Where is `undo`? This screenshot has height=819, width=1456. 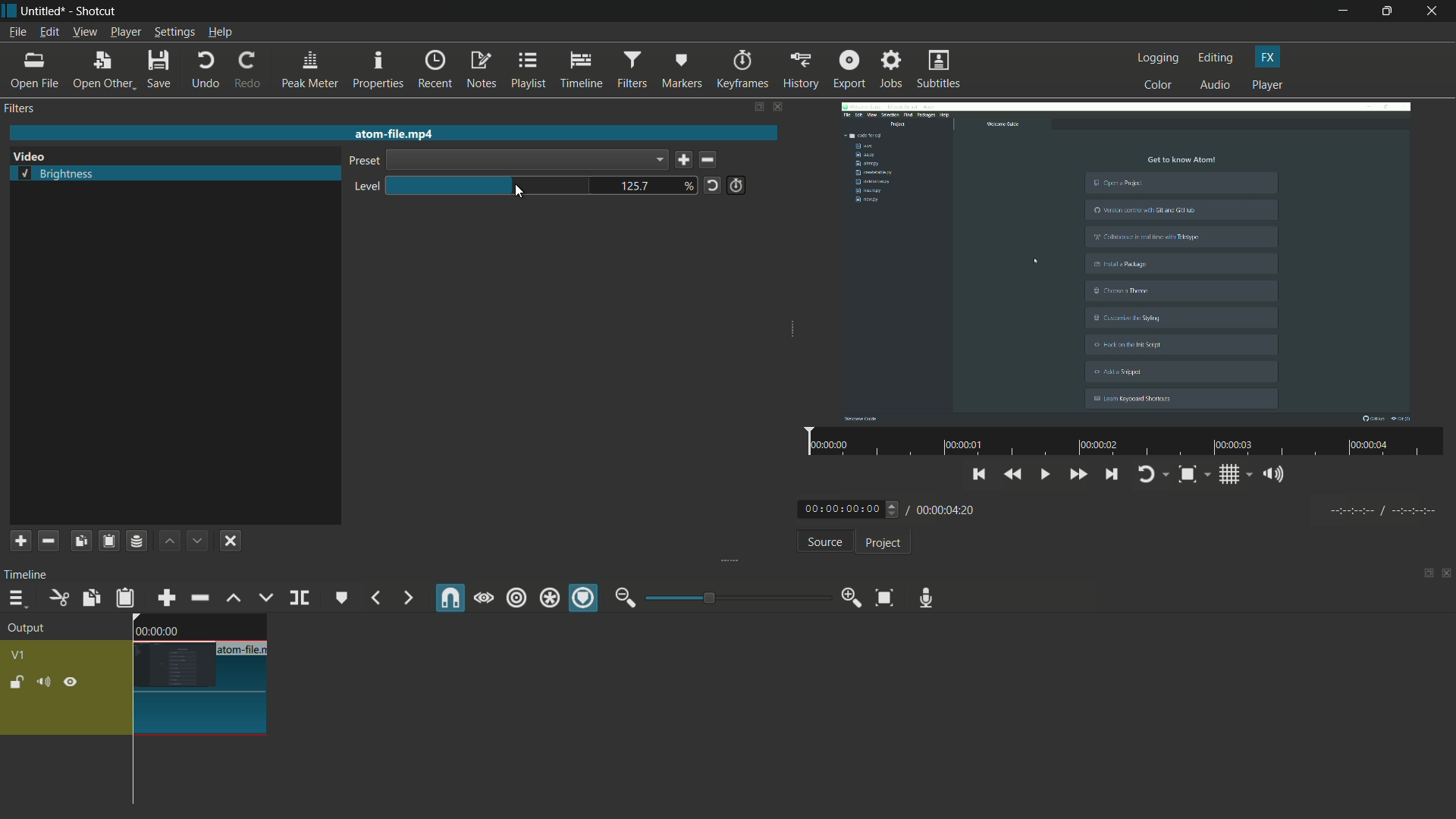
undo is located at coordinates (205, 70).